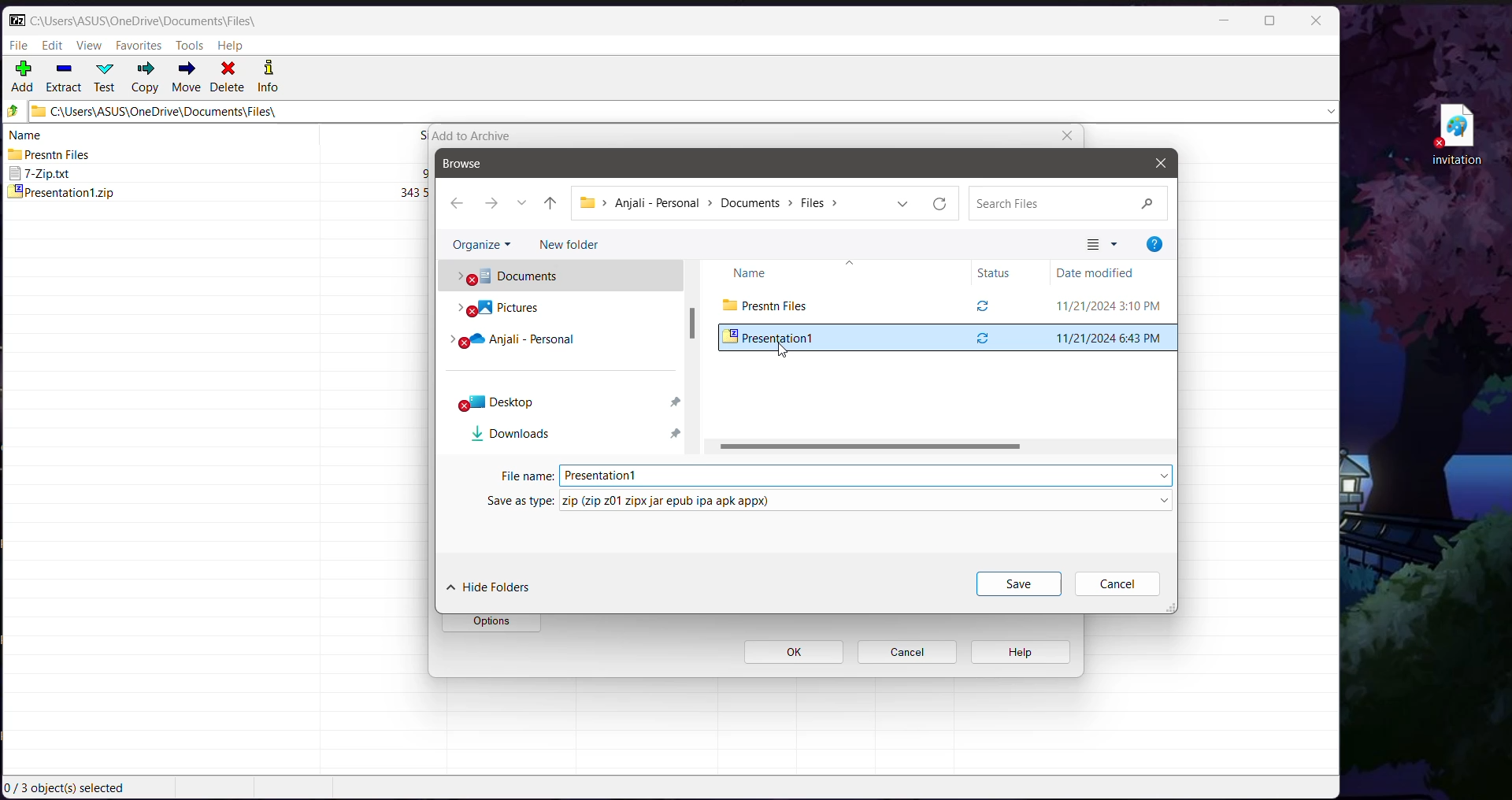  I want to click on Help, so click(1155, 243).